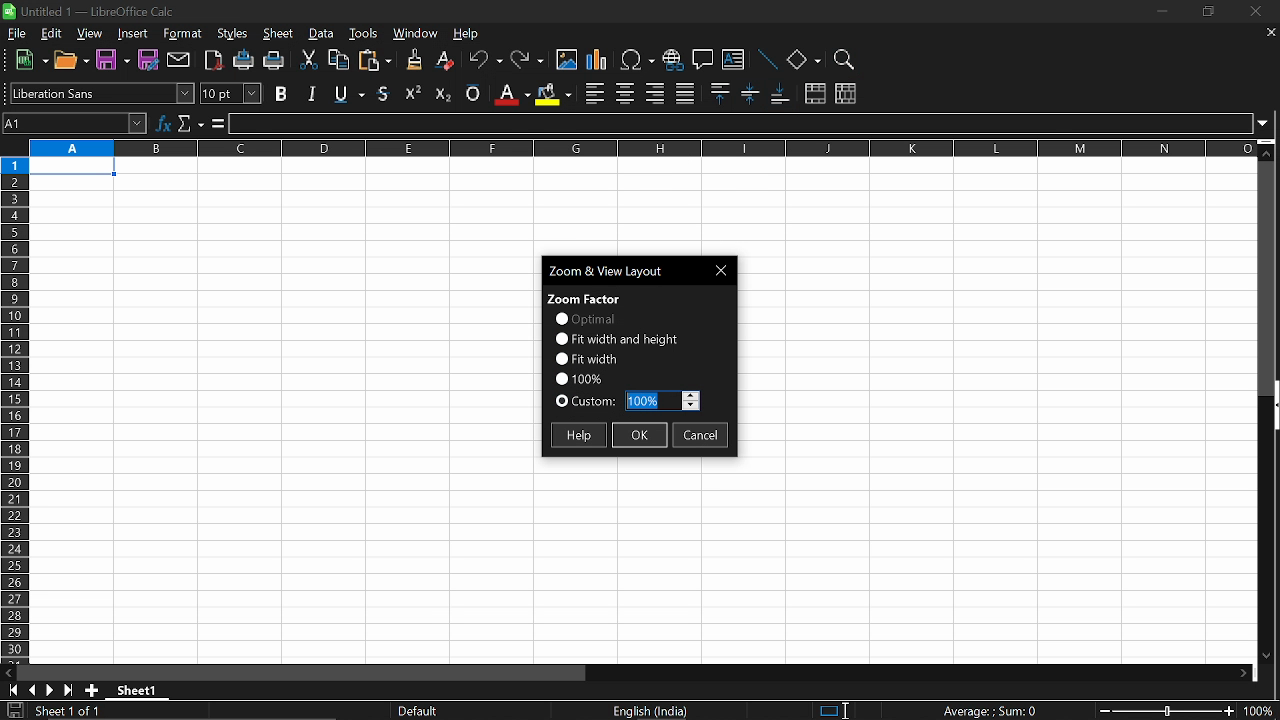 The image size is (1280, 720). Describe the element at coordinates (230, 94) in the screenshot. I see `text size` at that location.